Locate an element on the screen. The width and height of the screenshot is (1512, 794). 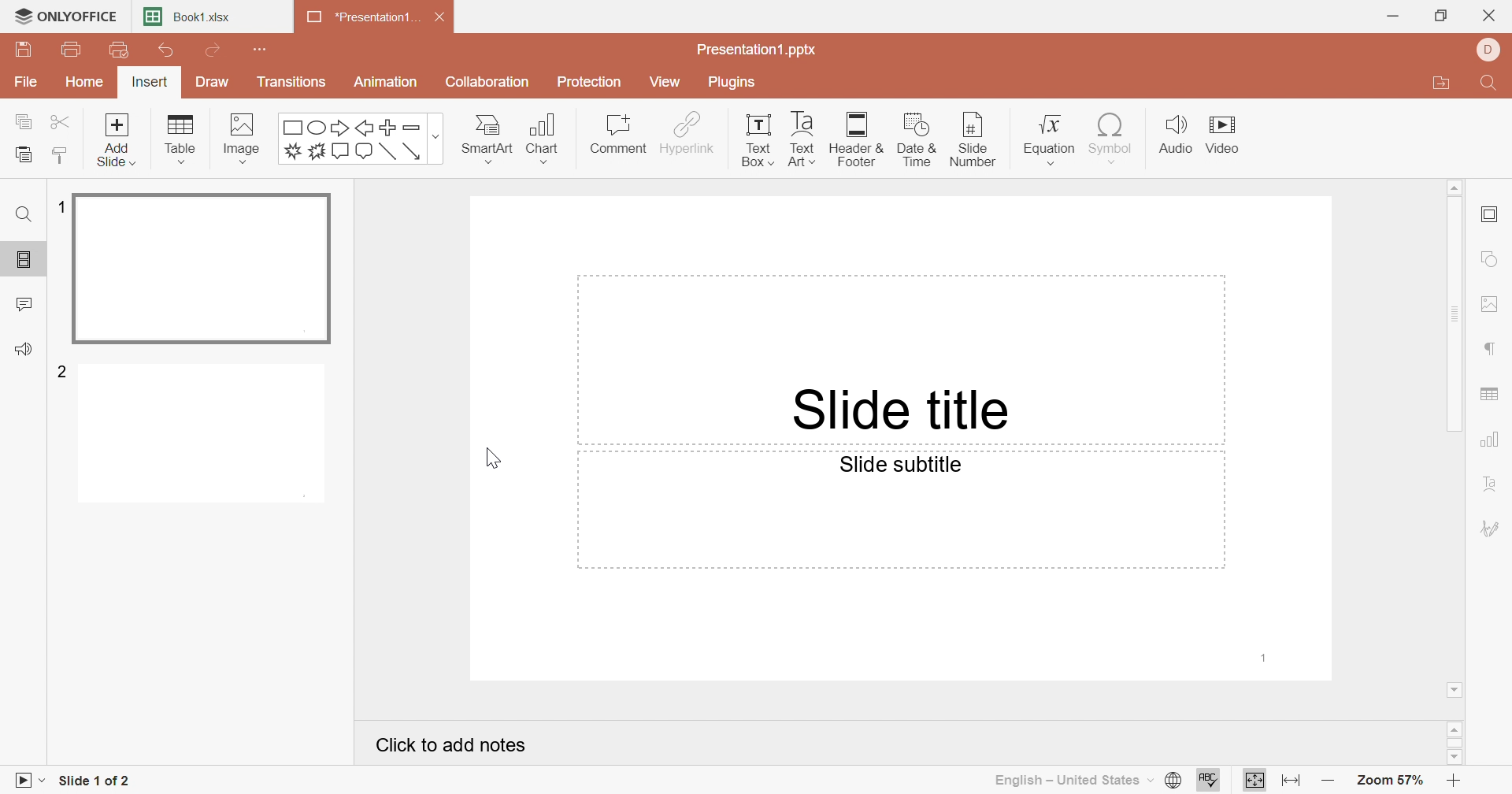
Text Art settings is located at coordinates (1491, 485).